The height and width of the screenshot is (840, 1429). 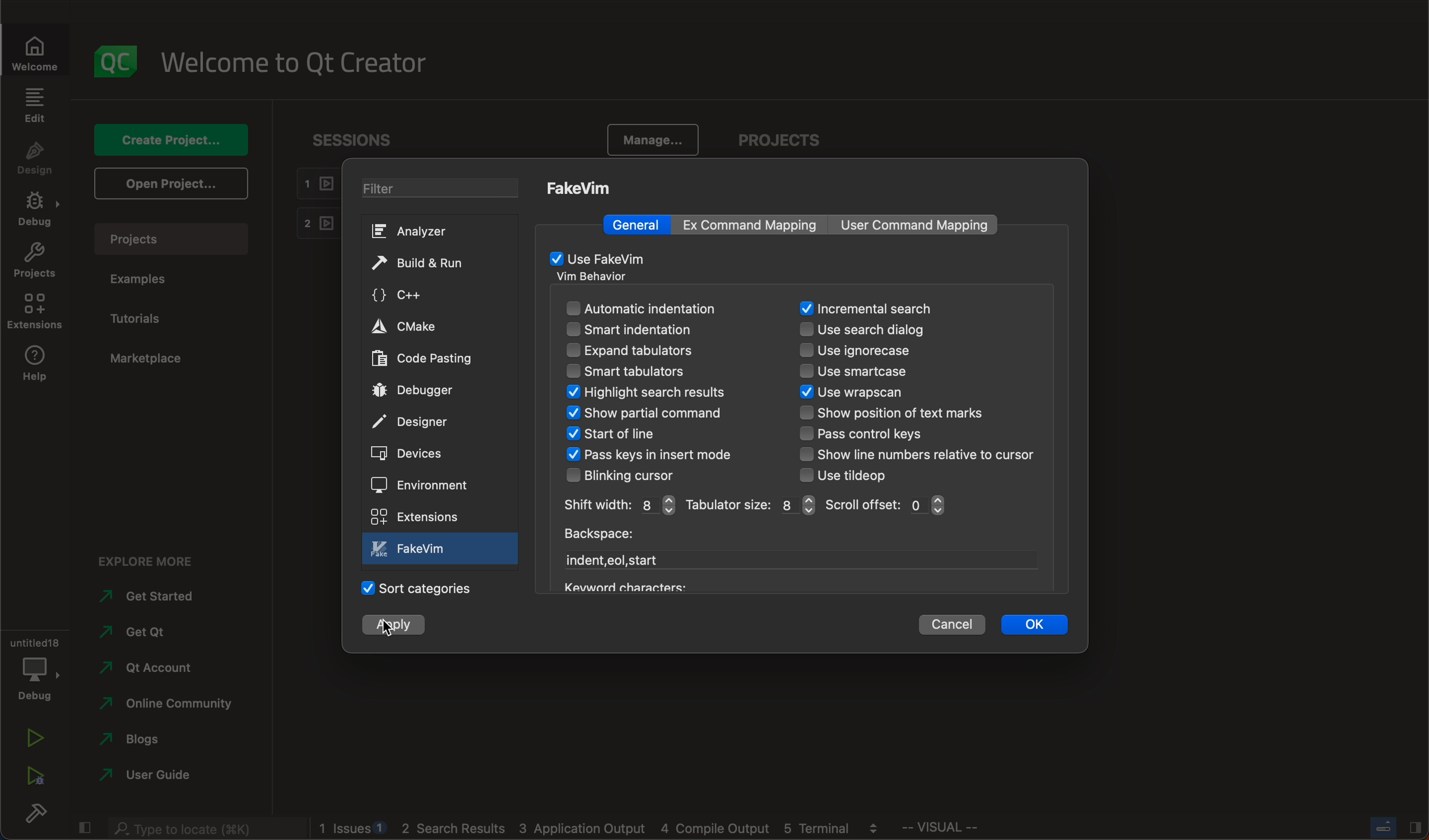 I want to click on show command, so click(x=646, y=414).